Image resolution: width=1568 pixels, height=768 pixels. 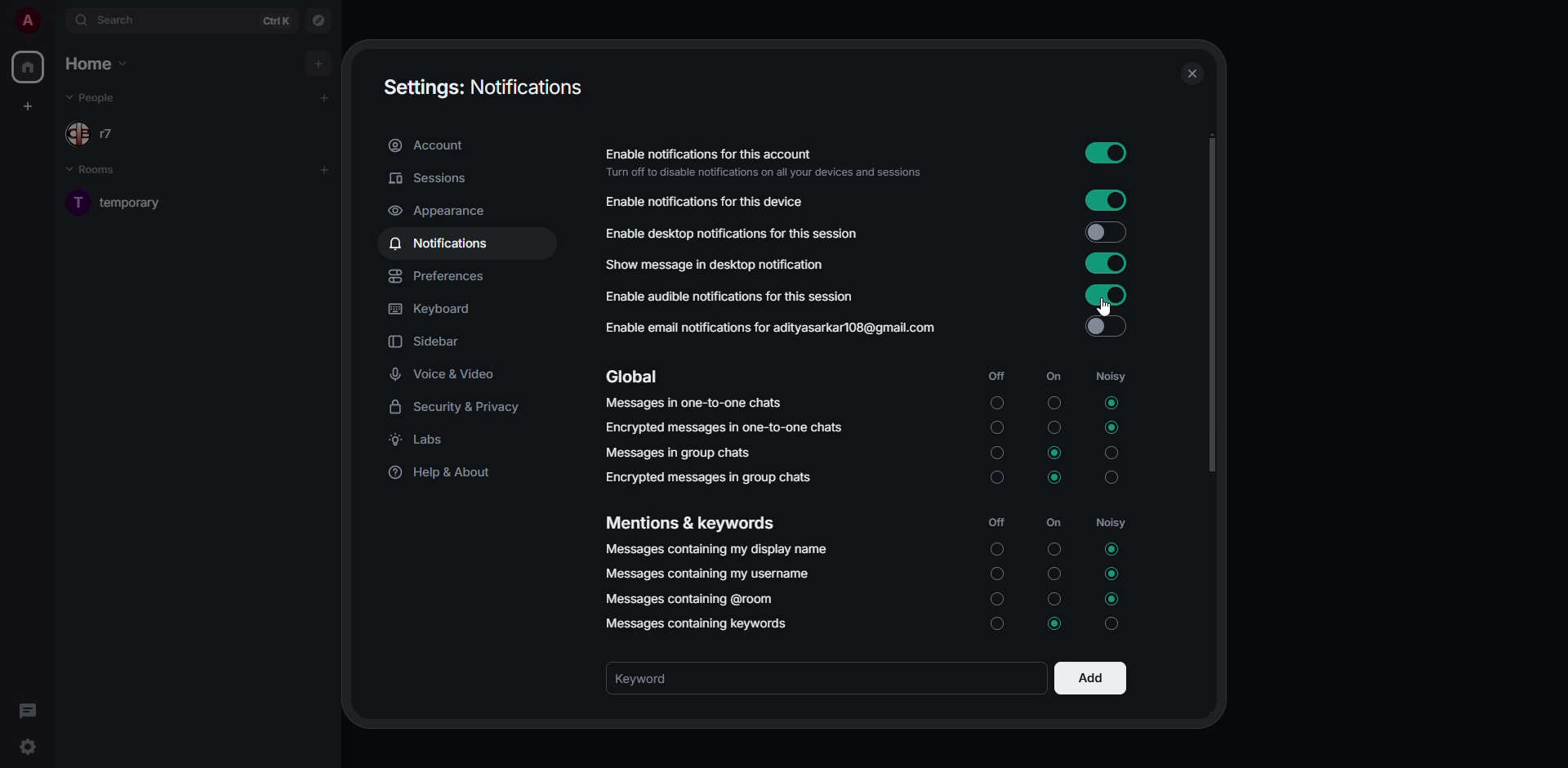 What do you see at coordinates (443, 375) in the screenshot?
I see `voice & video` at bounding box center [443, 375].